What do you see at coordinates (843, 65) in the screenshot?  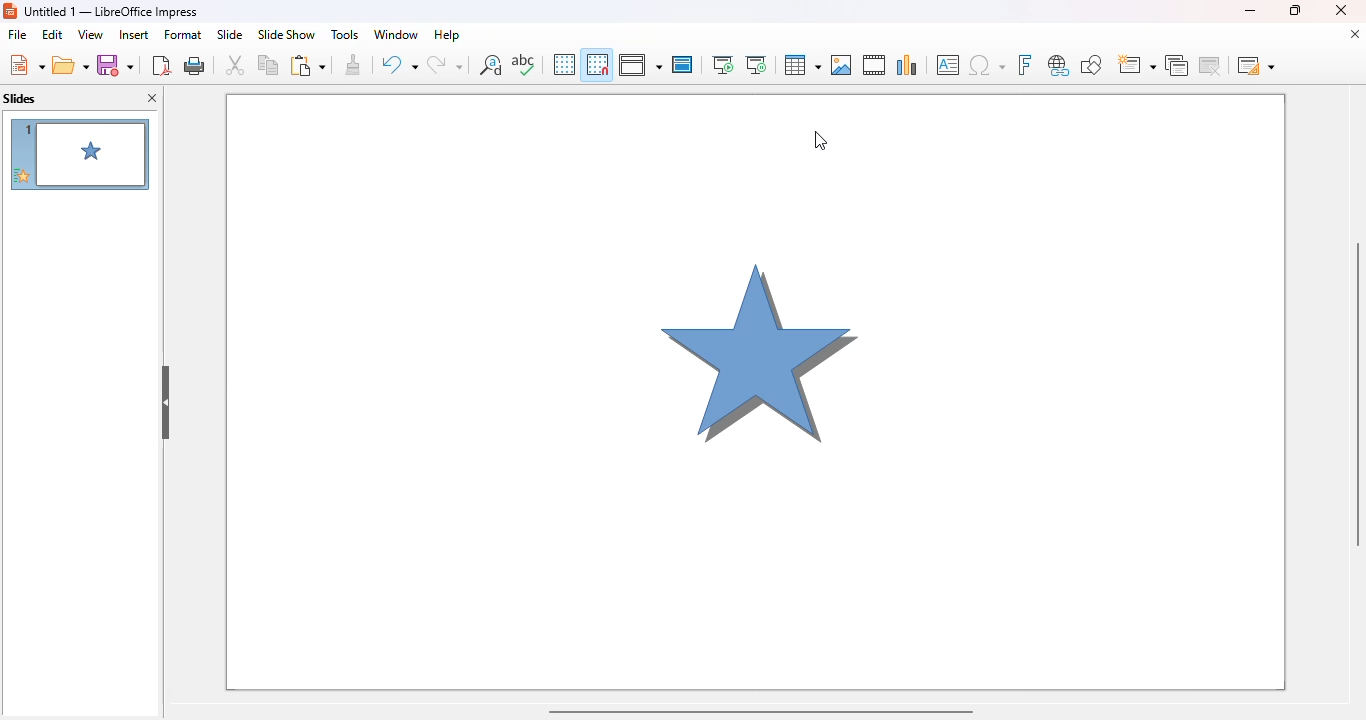 I see `insert image` at bounding box center [843, 65].